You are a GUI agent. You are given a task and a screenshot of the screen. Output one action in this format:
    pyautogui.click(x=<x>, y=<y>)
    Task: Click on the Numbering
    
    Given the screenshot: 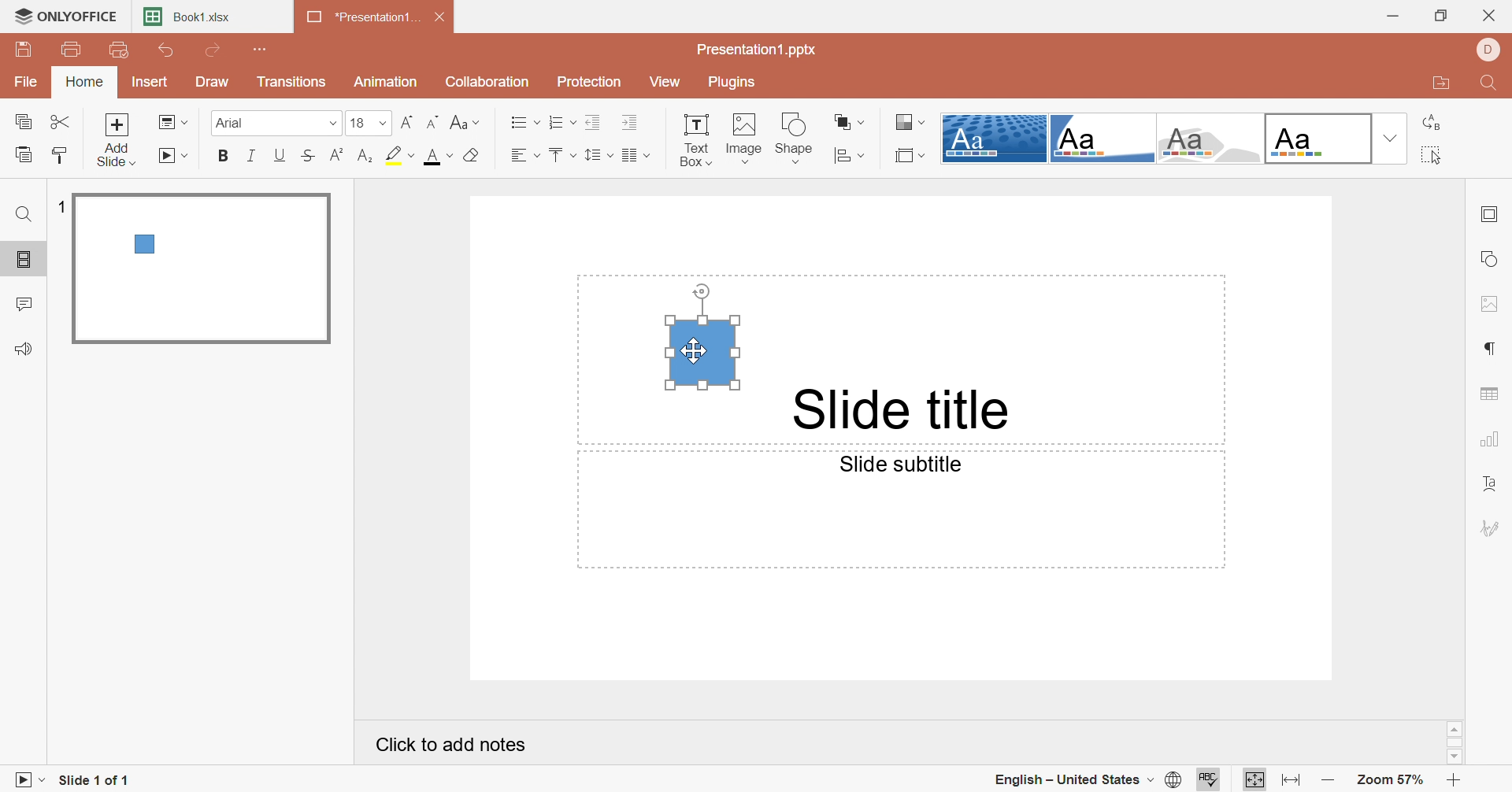 What is the action you would take?
    pyautogui.click(x=564, y=121)
    